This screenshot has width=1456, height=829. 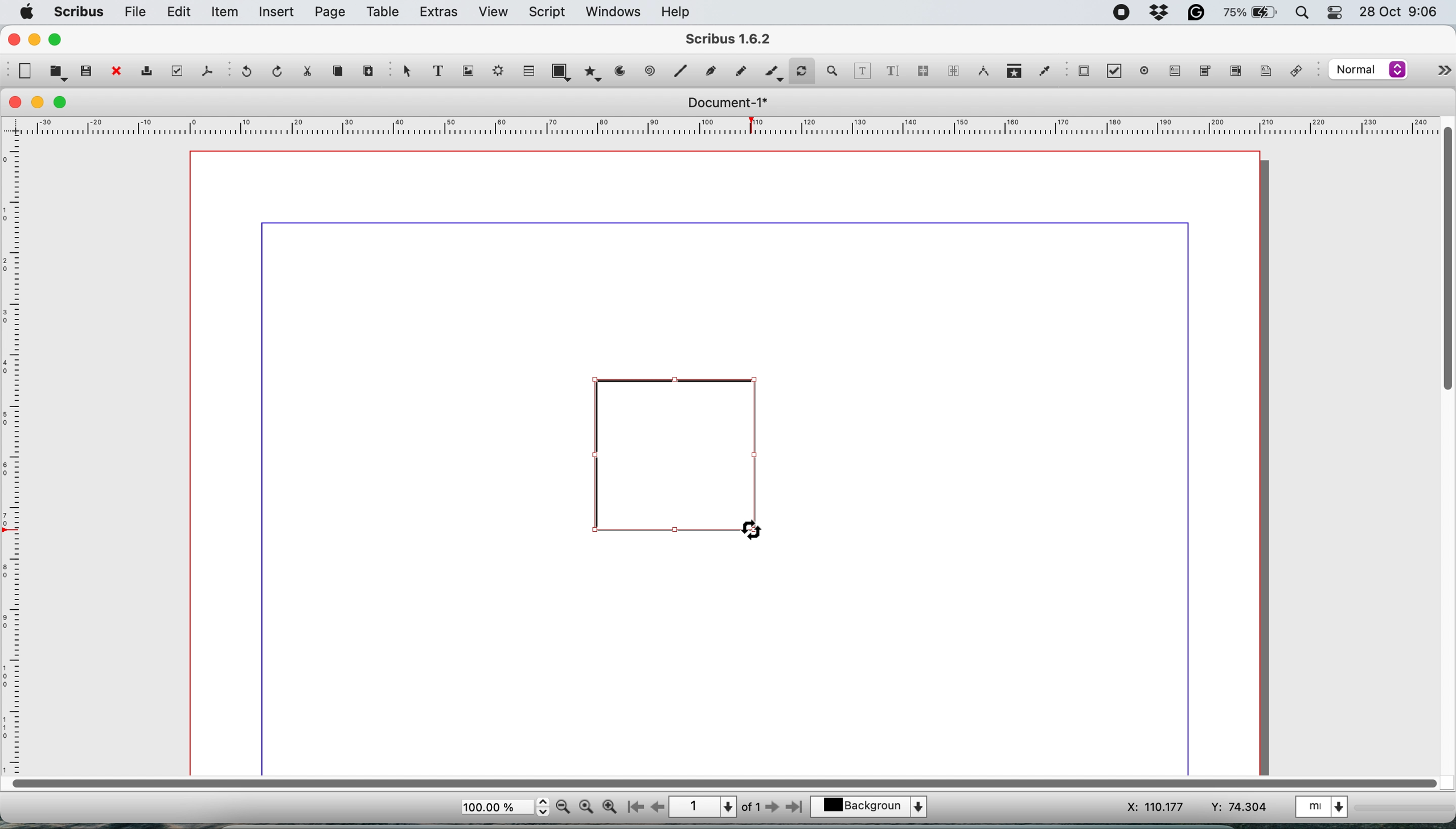 I want to click on system logo, so click(x=28, y=11).